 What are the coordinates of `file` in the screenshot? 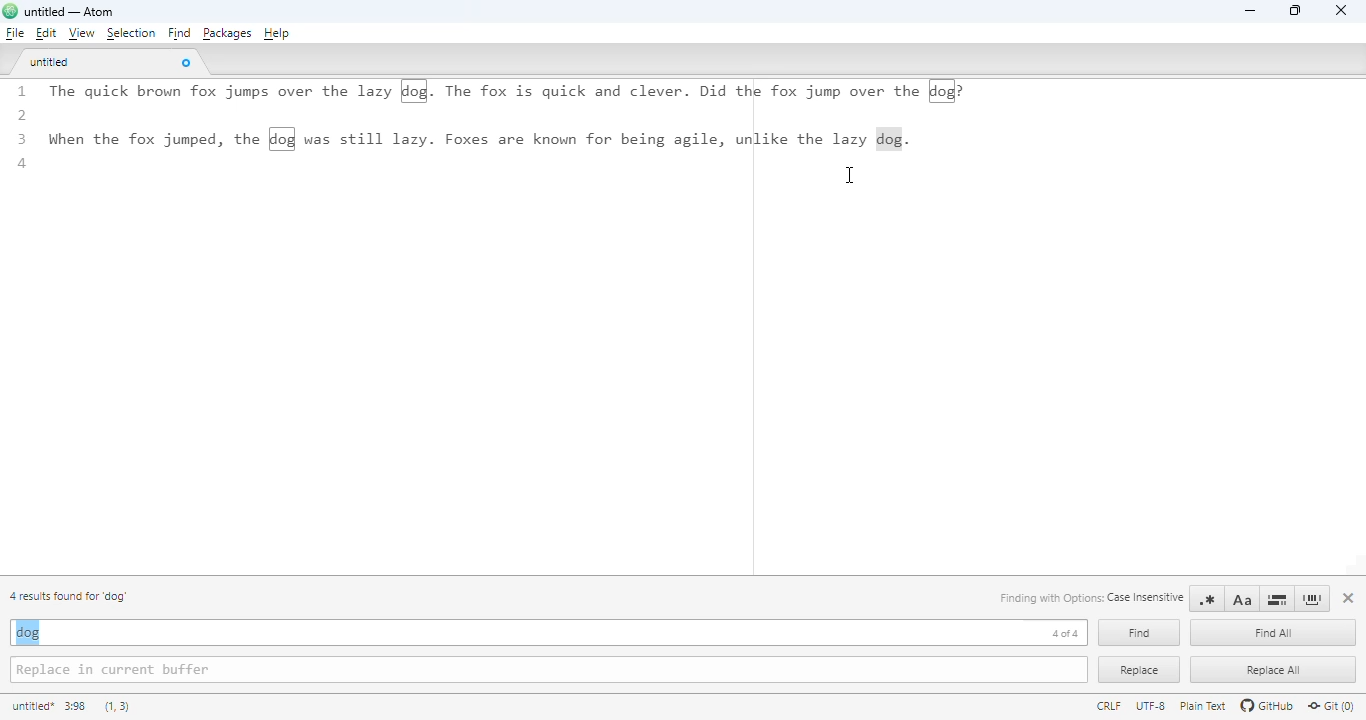 It's located at (14, 32).